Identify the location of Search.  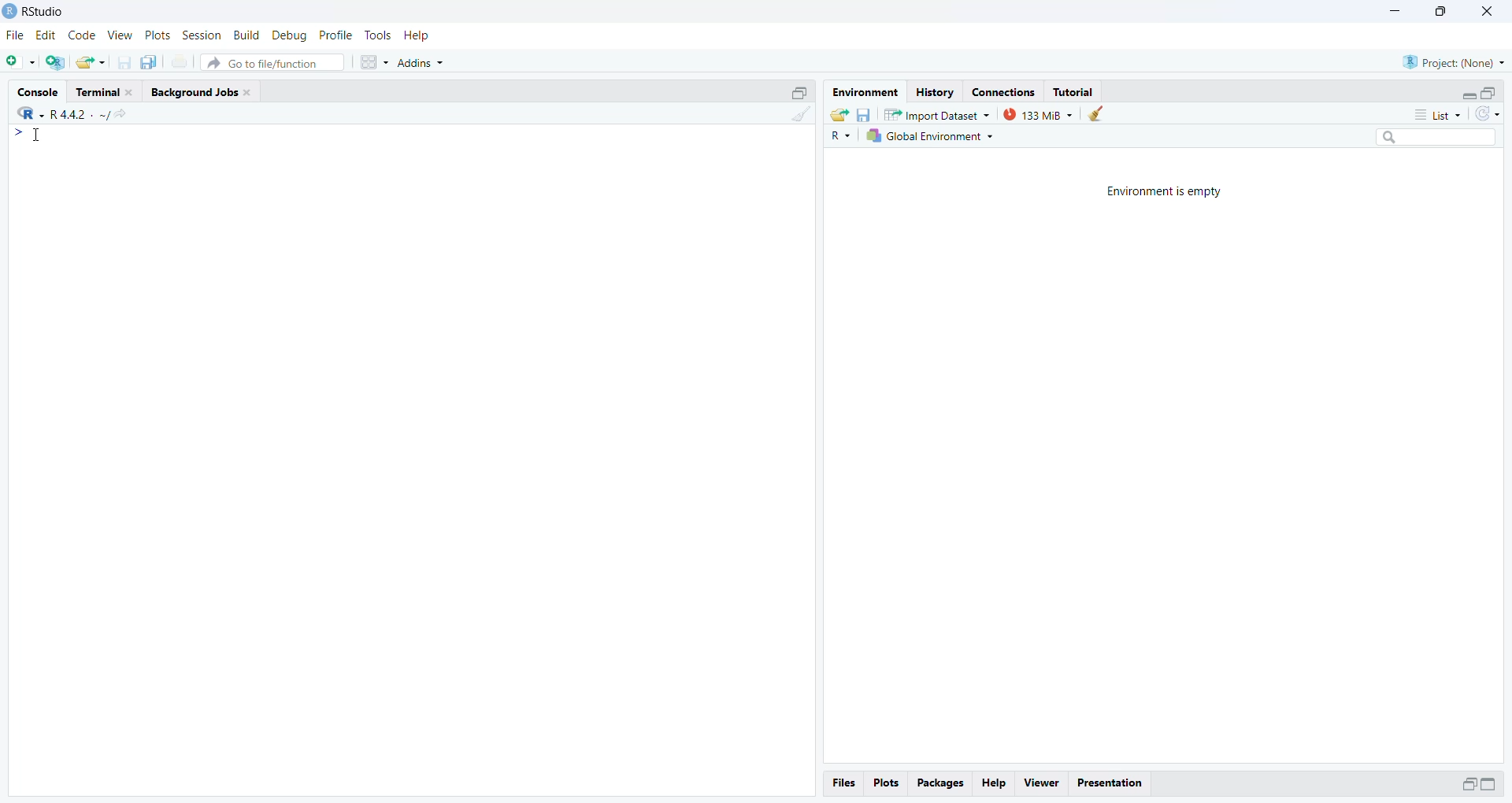
(1435, 139).